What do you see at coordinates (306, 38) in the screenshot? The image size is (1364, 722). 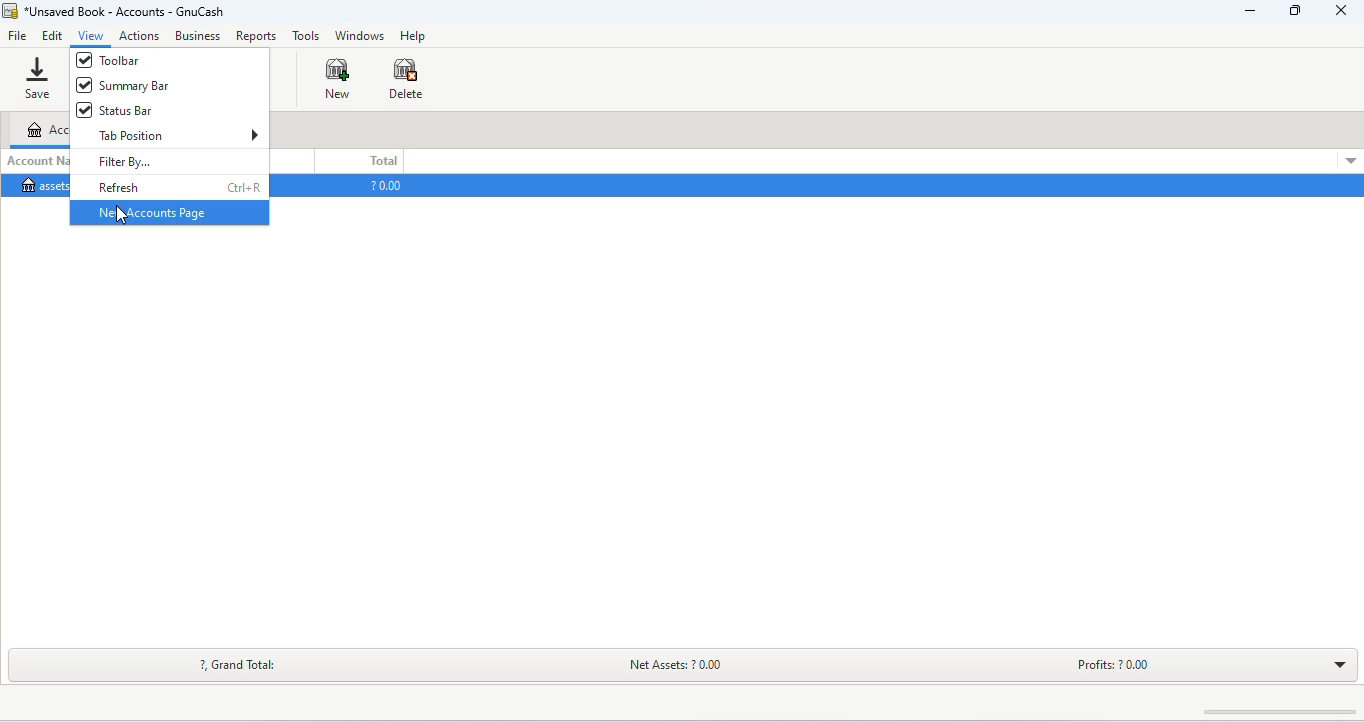 I see `tools` at bounding box center [306, 38].